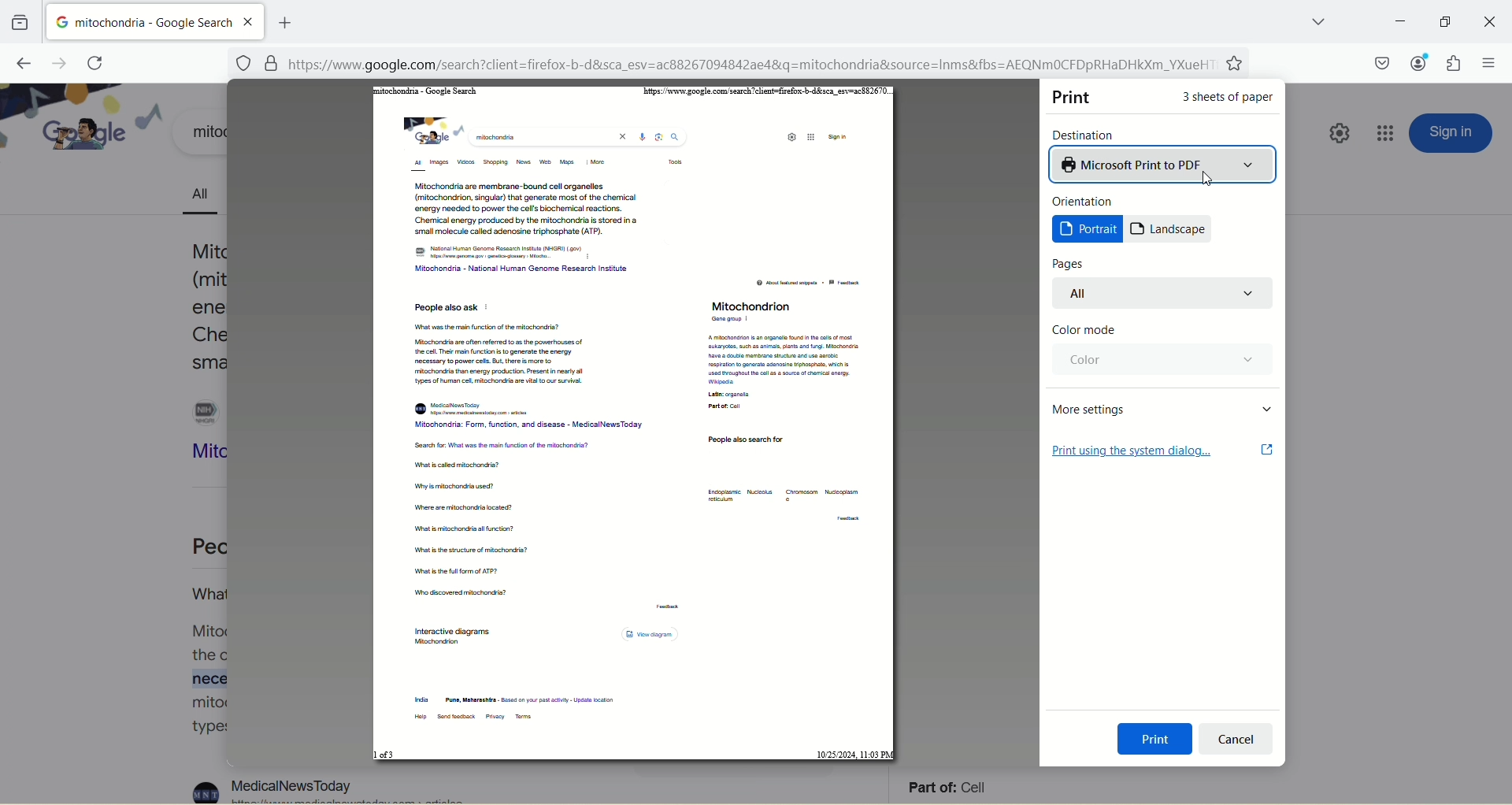  What do you see at coordinates (1236, 740) in the screenshot?
I see `cancel` at bounding box center [1236, 740].